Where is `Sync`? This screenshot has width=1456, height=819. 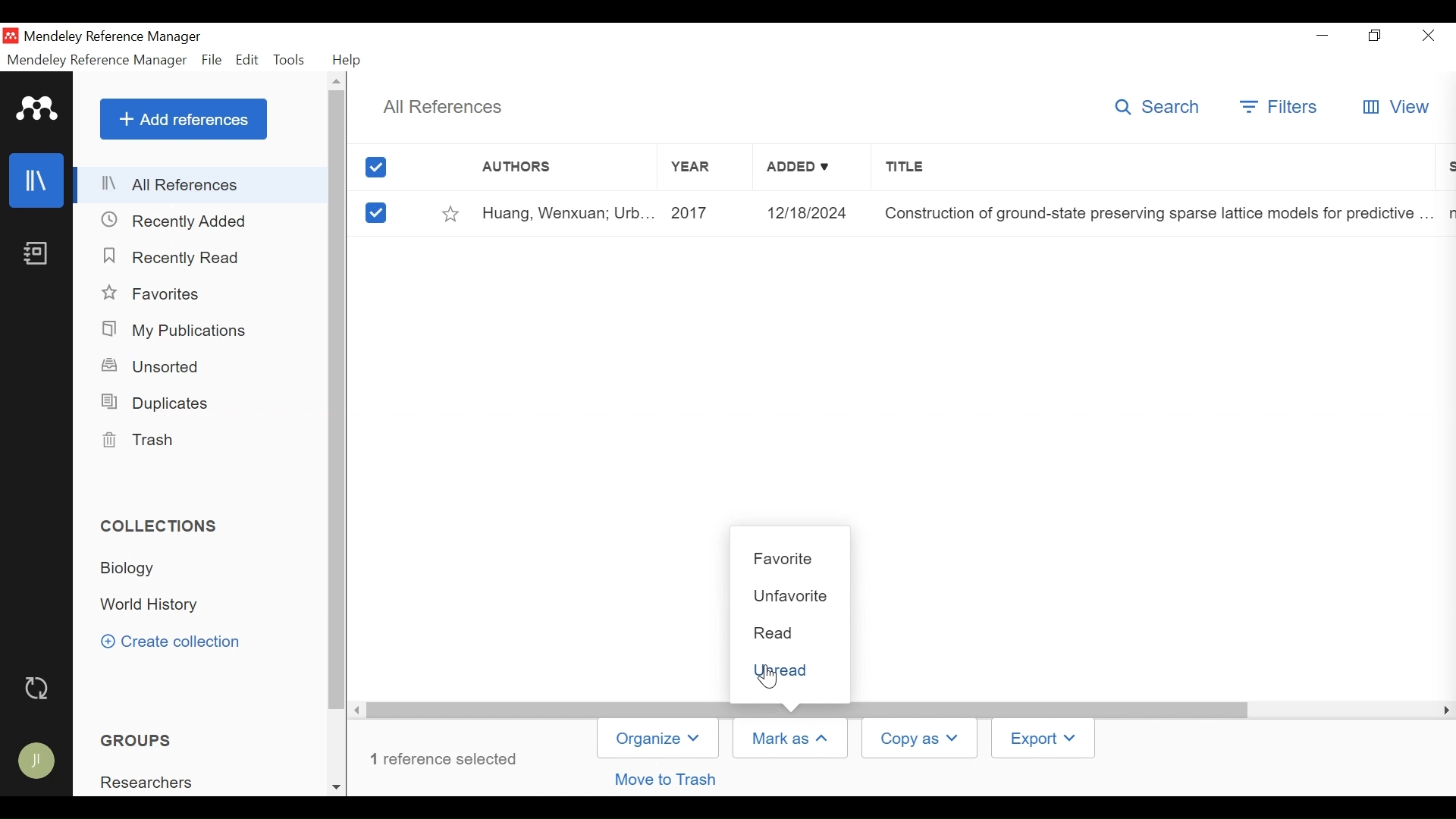
Sync is located at coordinates (39, 690).